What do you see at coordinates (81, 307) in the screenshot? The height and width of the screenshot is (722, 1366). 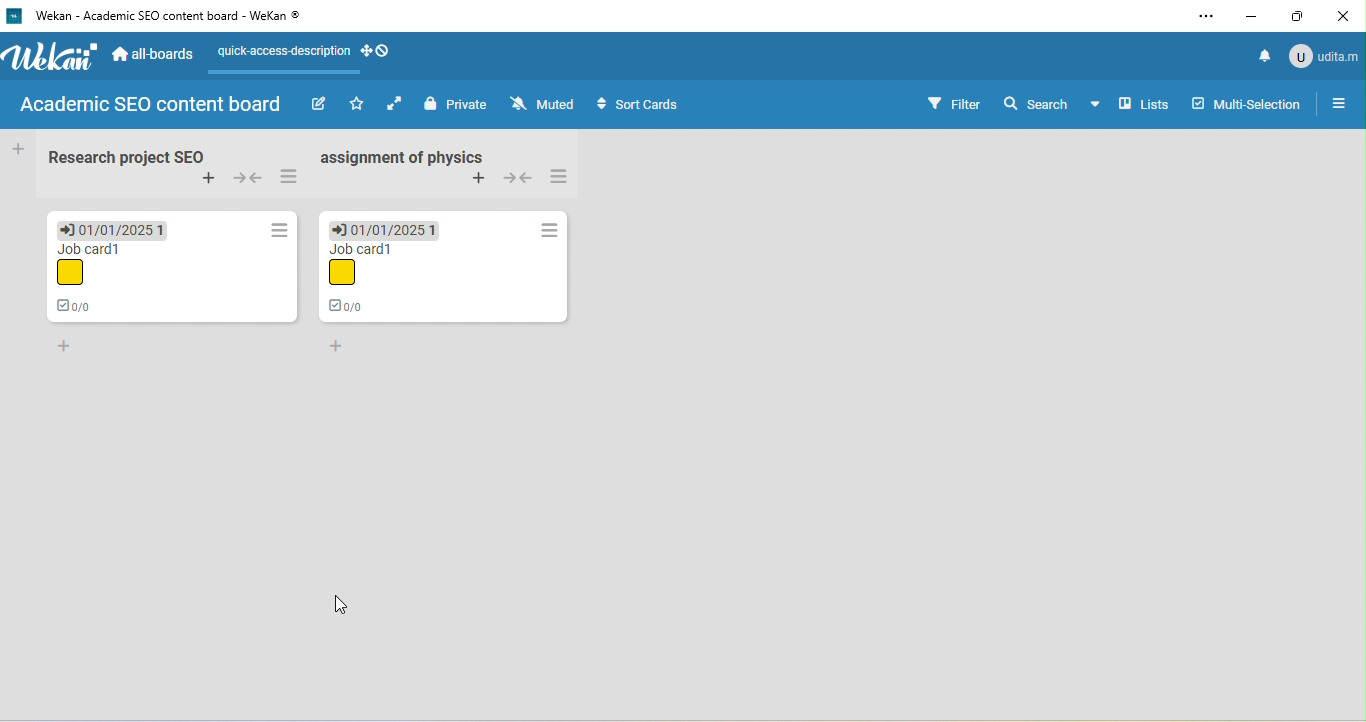 I see `0/0` at bounding box center [81, 307].